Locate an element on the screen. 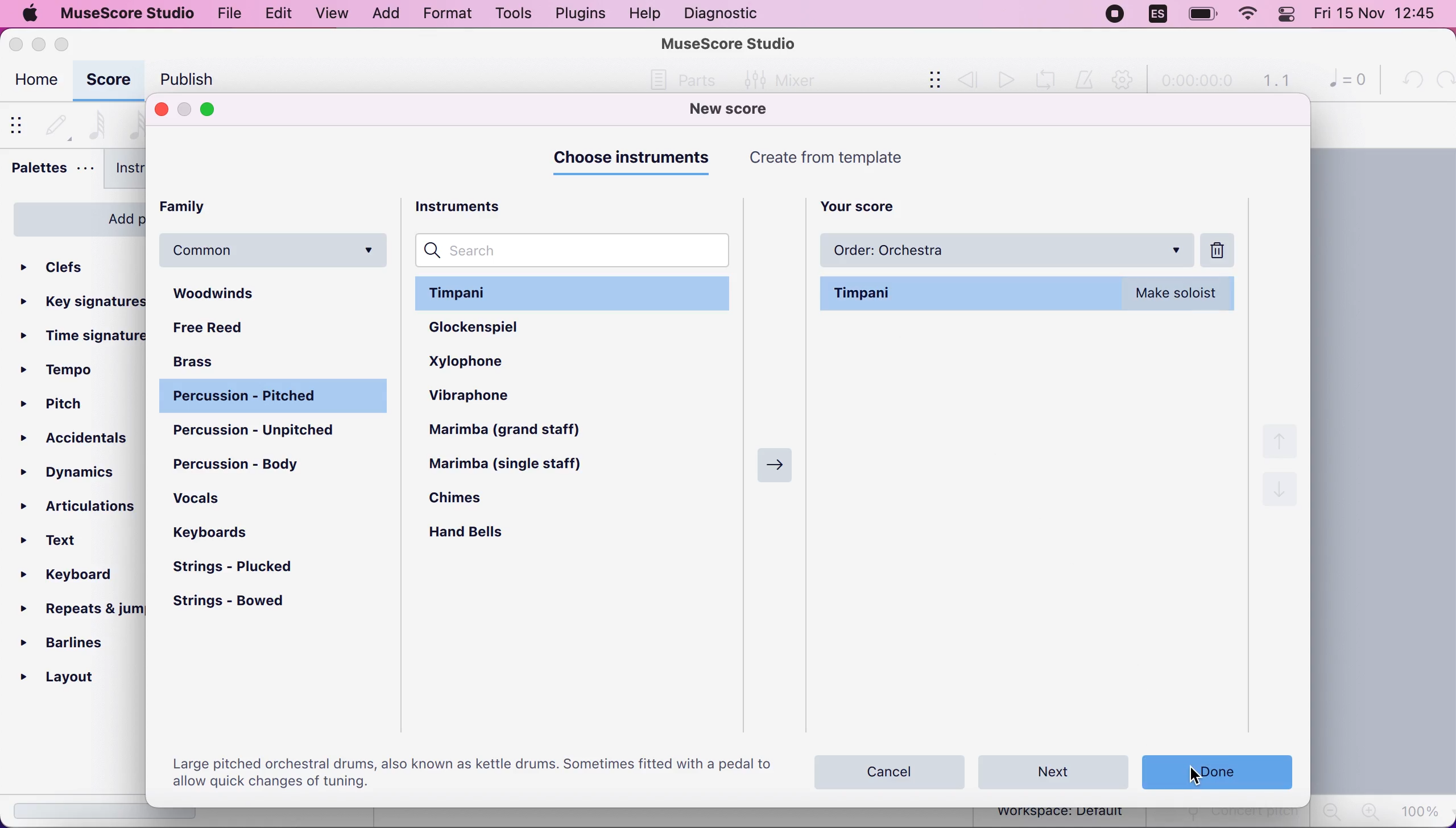 The width and height of the screenshot is (1456, 828). undo is located at coordinates (1409, 80).